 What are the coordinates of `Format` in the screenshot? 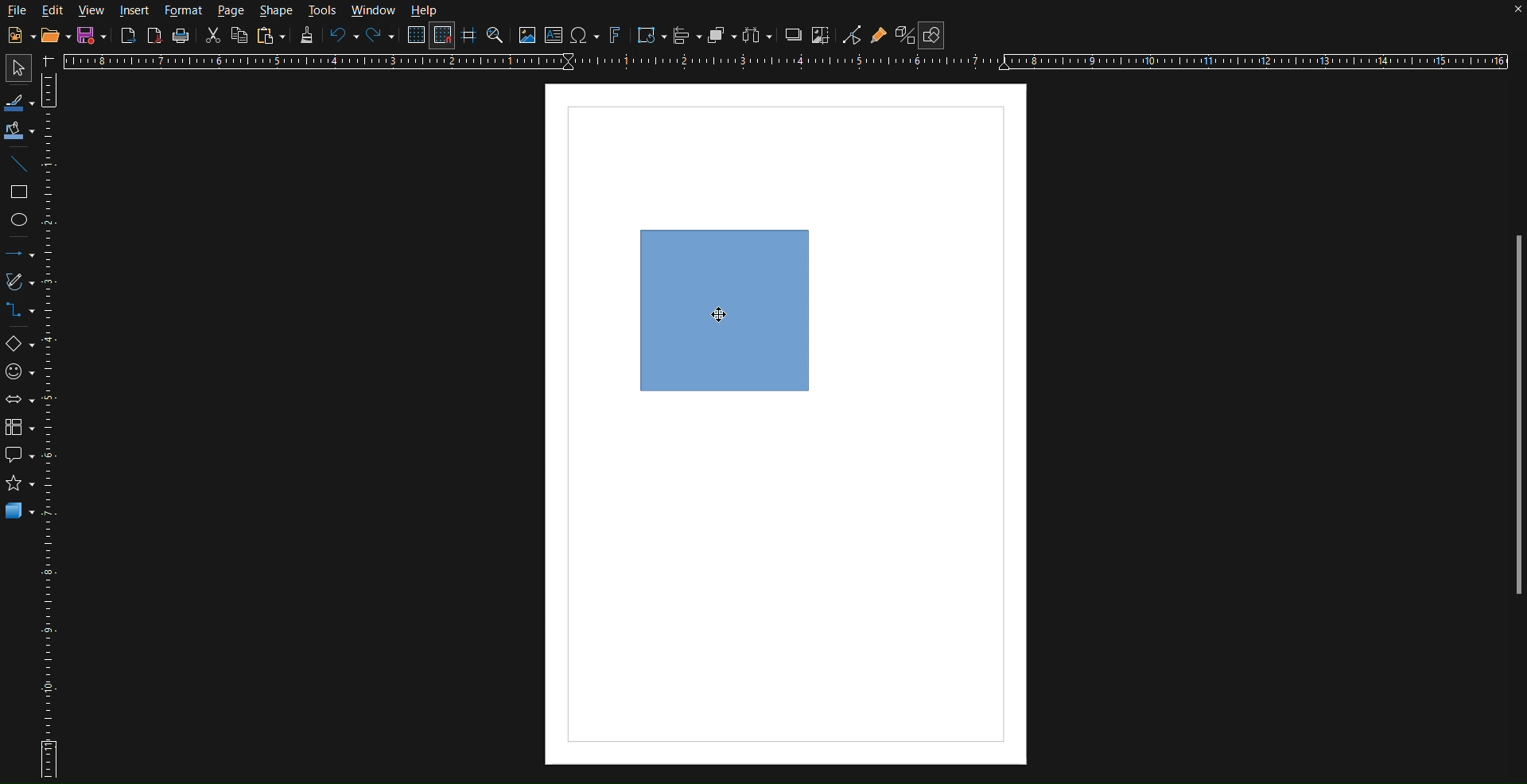 It's located at (183, 11).